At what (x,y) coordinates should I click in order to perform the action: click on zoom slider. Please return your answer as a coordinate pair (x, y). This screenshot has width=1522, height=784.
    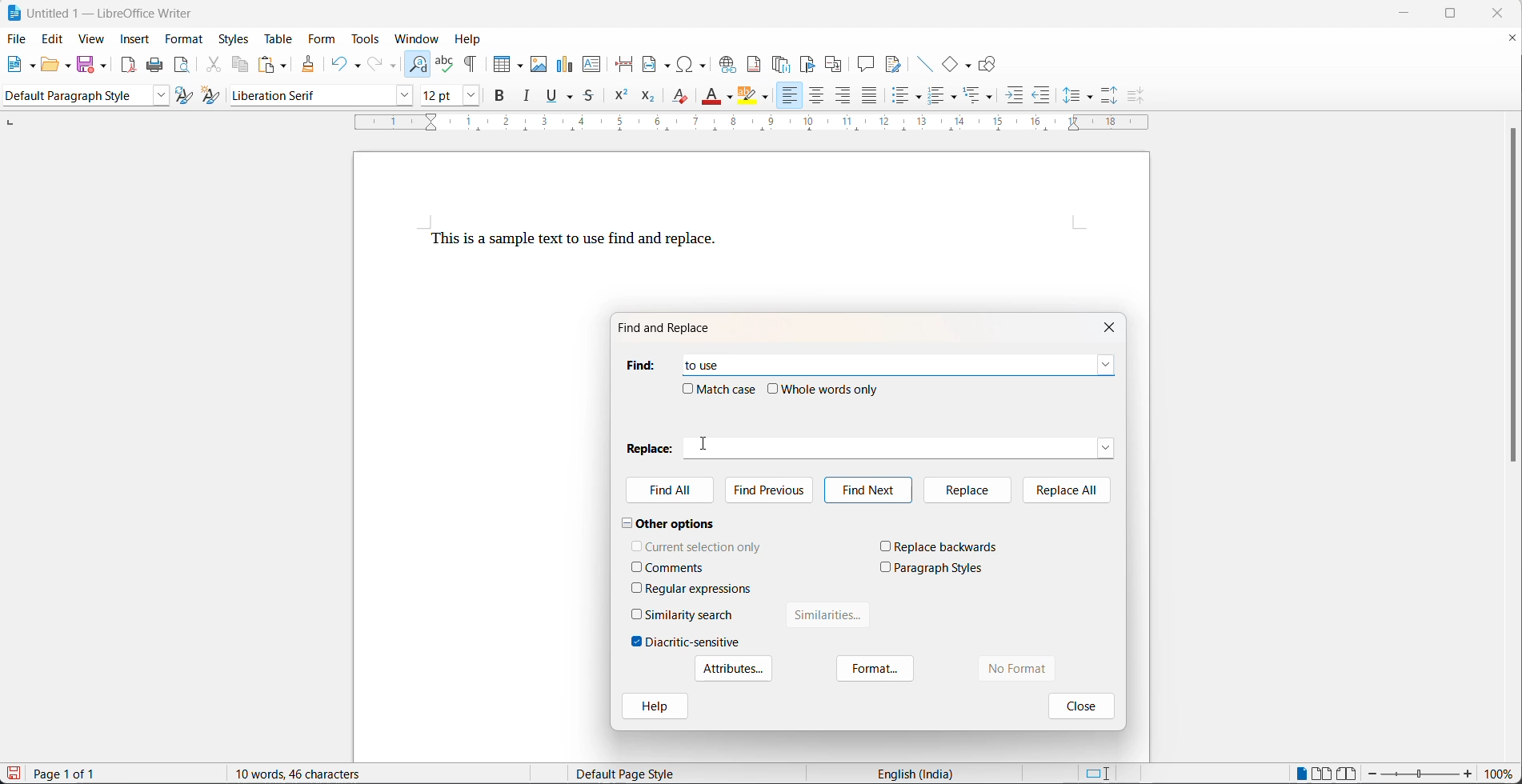
    Looking at the image, I should click on (1420, 774).